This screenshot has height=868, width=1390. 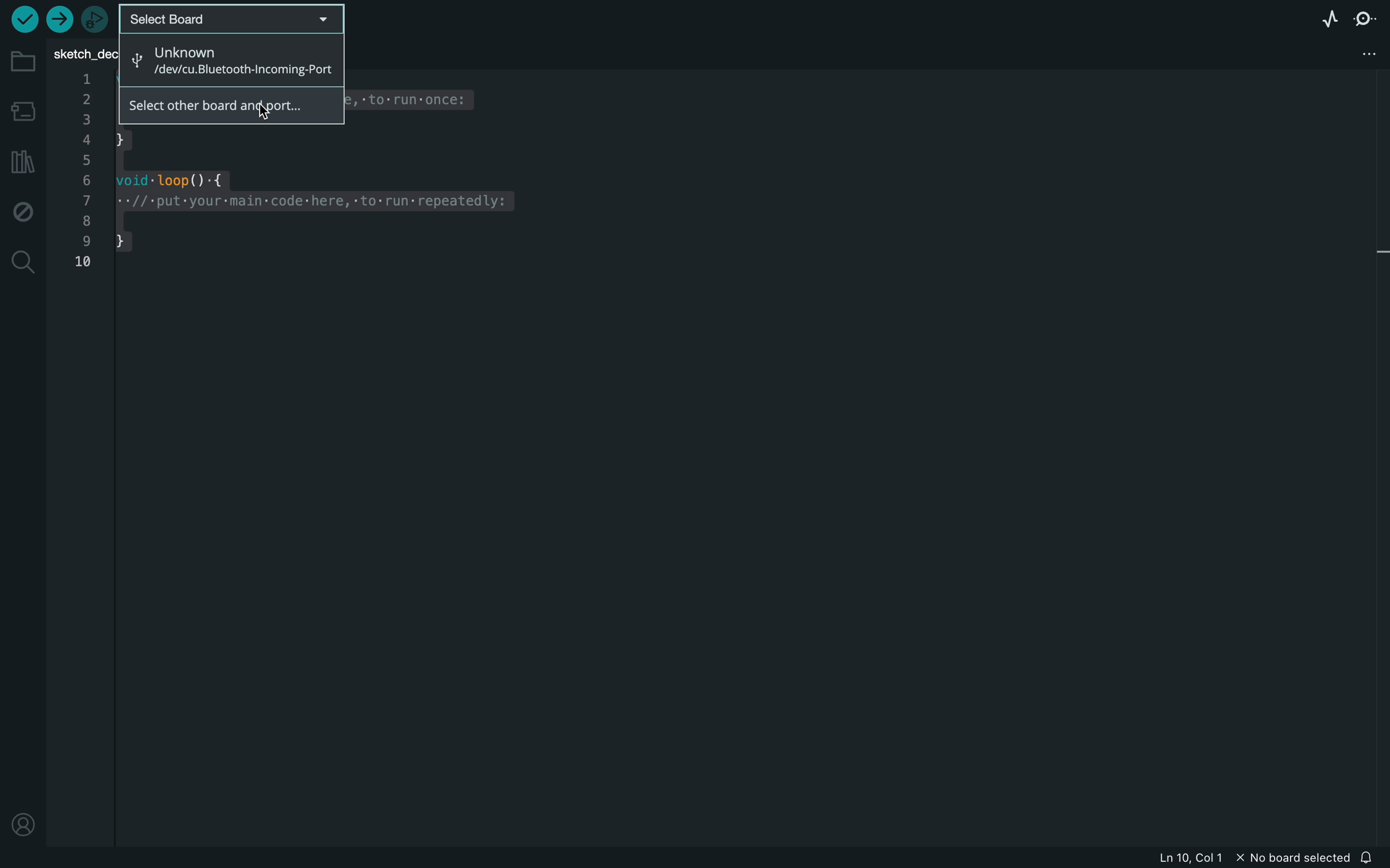 What do you see at coordinates (62, 22) in the screenshot?
I see `upload` at bounding box center [62, 22].